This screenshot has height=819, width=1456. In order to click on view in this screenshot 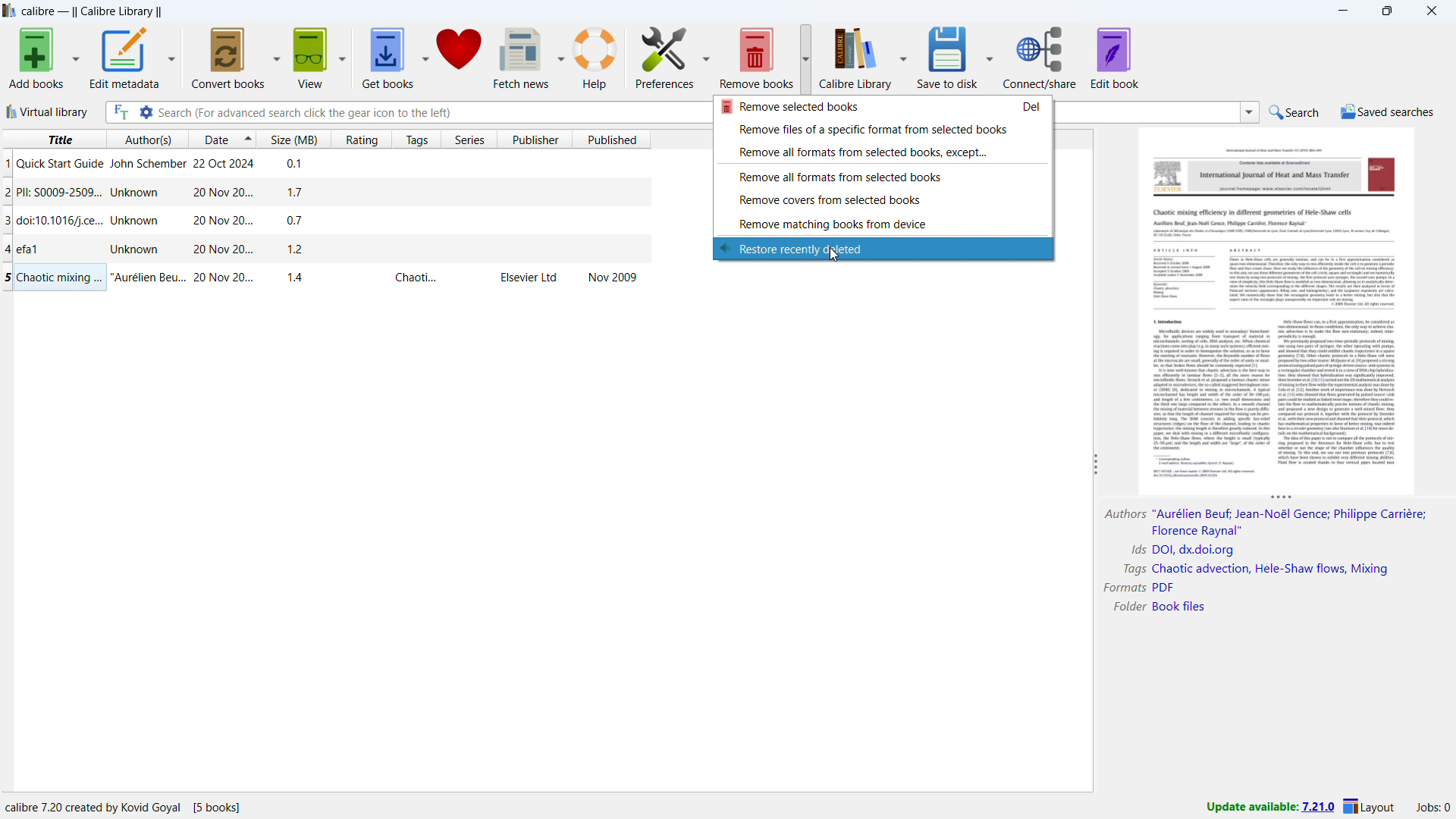, I will do `click(312, 58)`.